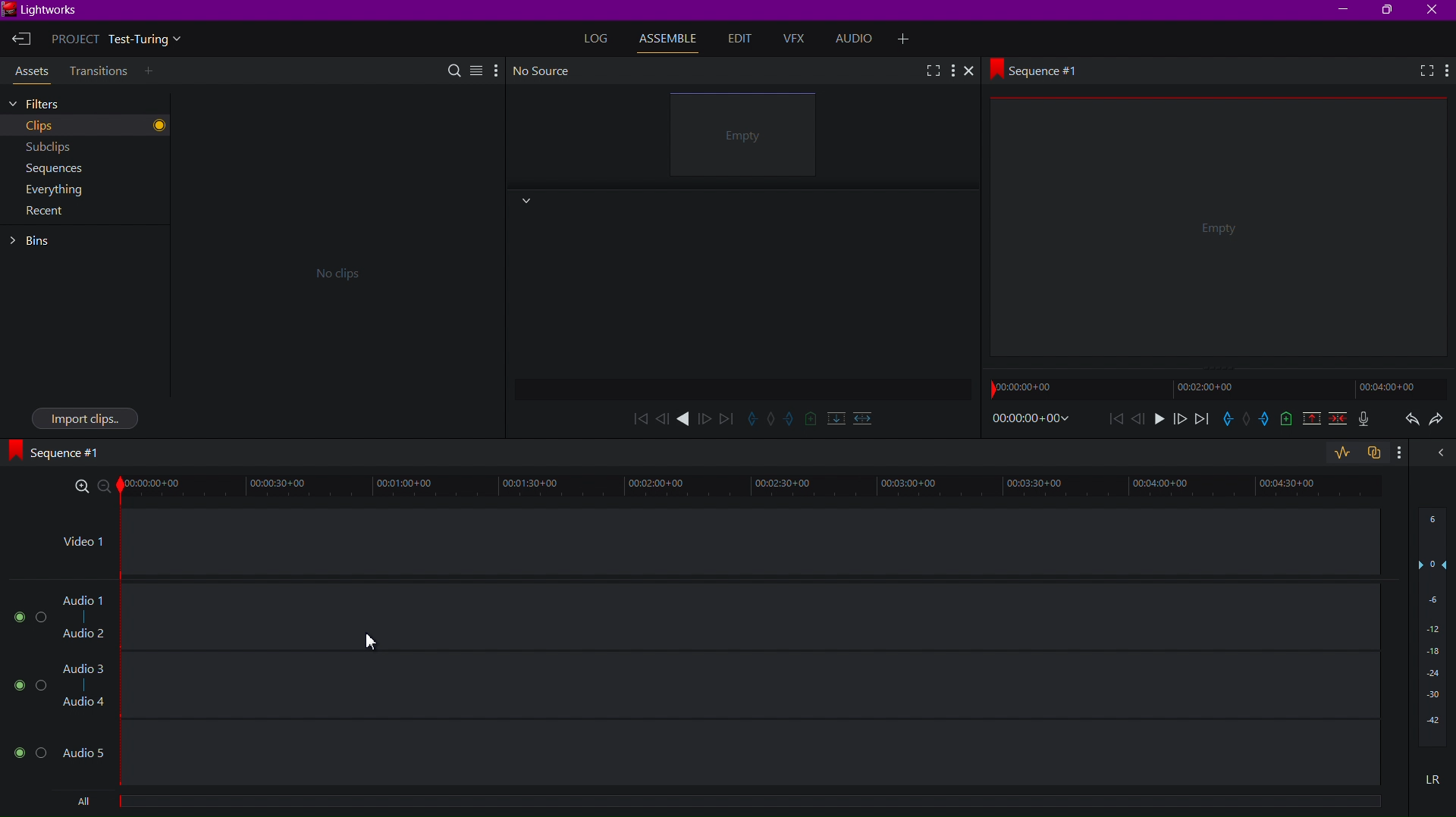  What do you see at coordinates (1158, 421) in the screenshot?
I see `play` at bounding box center [1158, 421].